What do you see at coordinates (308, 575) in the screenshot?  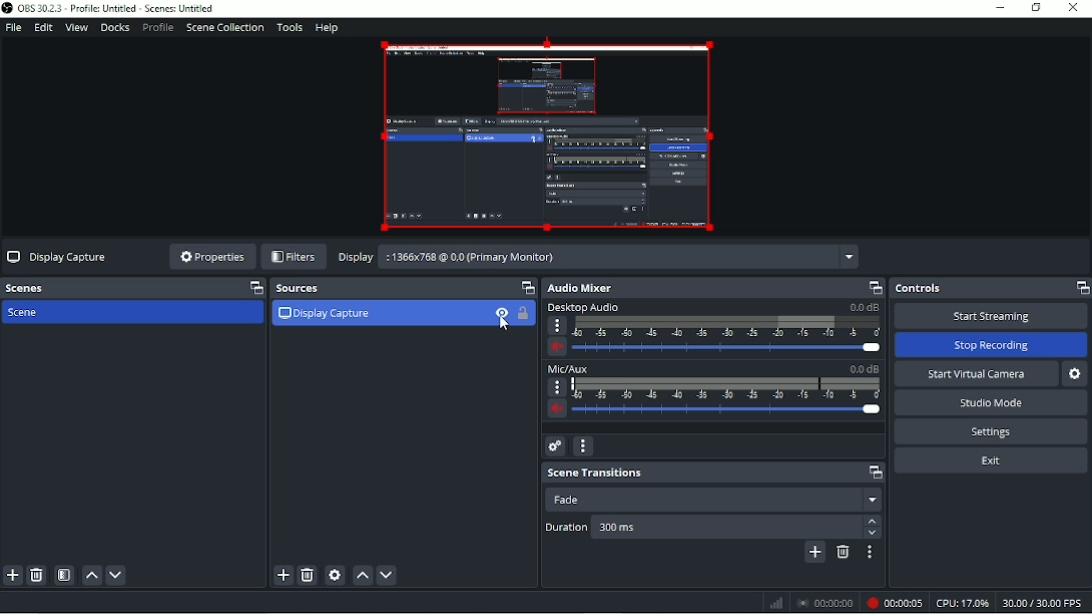 I see `Remove selected source(s)` at bounding box center [308, 575].